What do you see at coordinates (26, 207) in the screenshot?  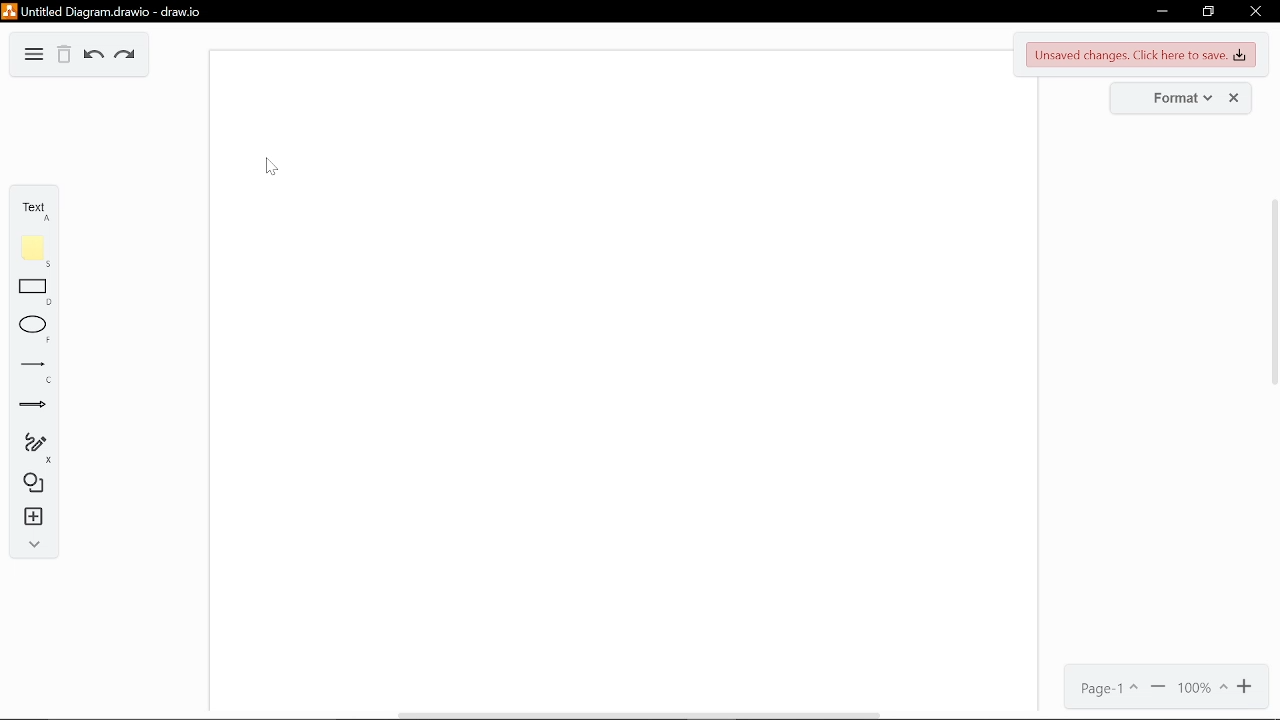 I see `text` at bounding box center [26, 207].